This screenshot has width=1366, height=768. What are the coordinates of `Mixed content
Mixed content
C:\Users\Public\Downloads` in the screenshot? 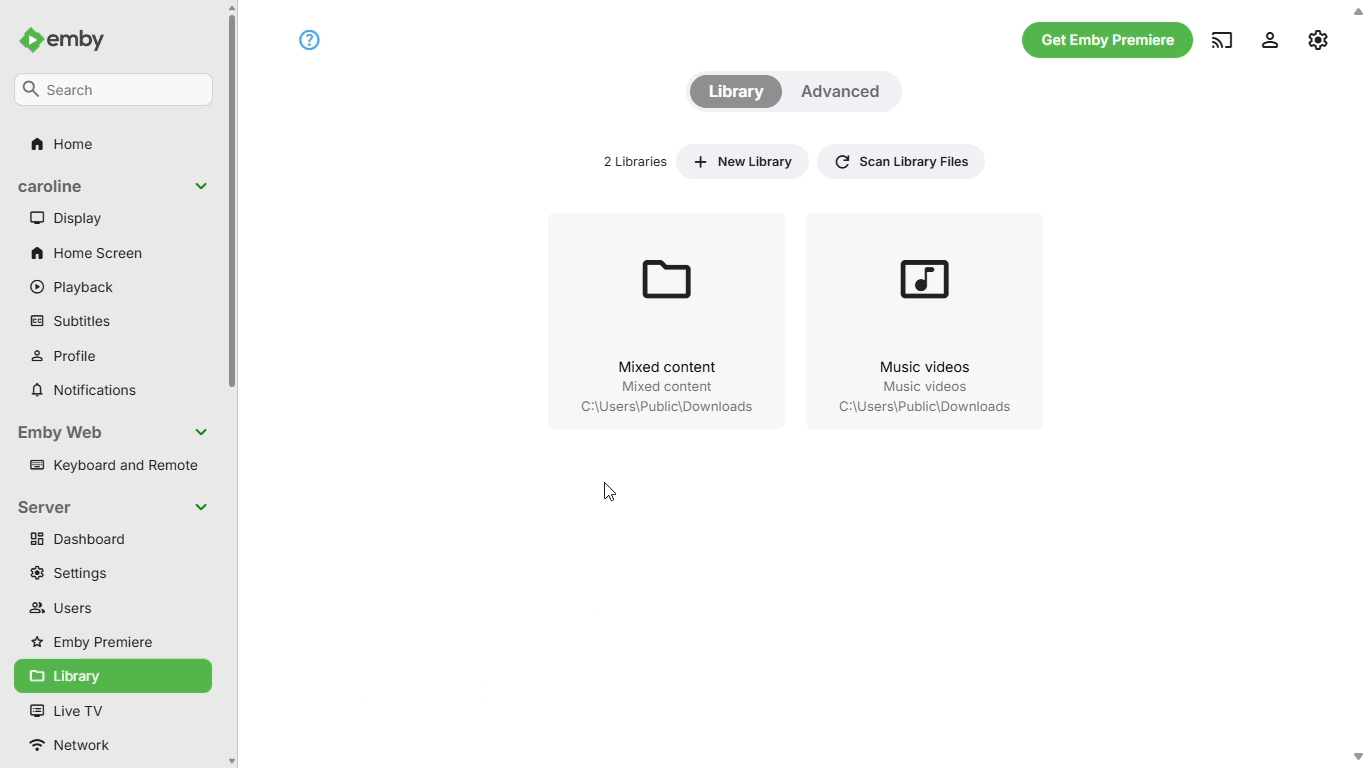 It's located at (661, 271).